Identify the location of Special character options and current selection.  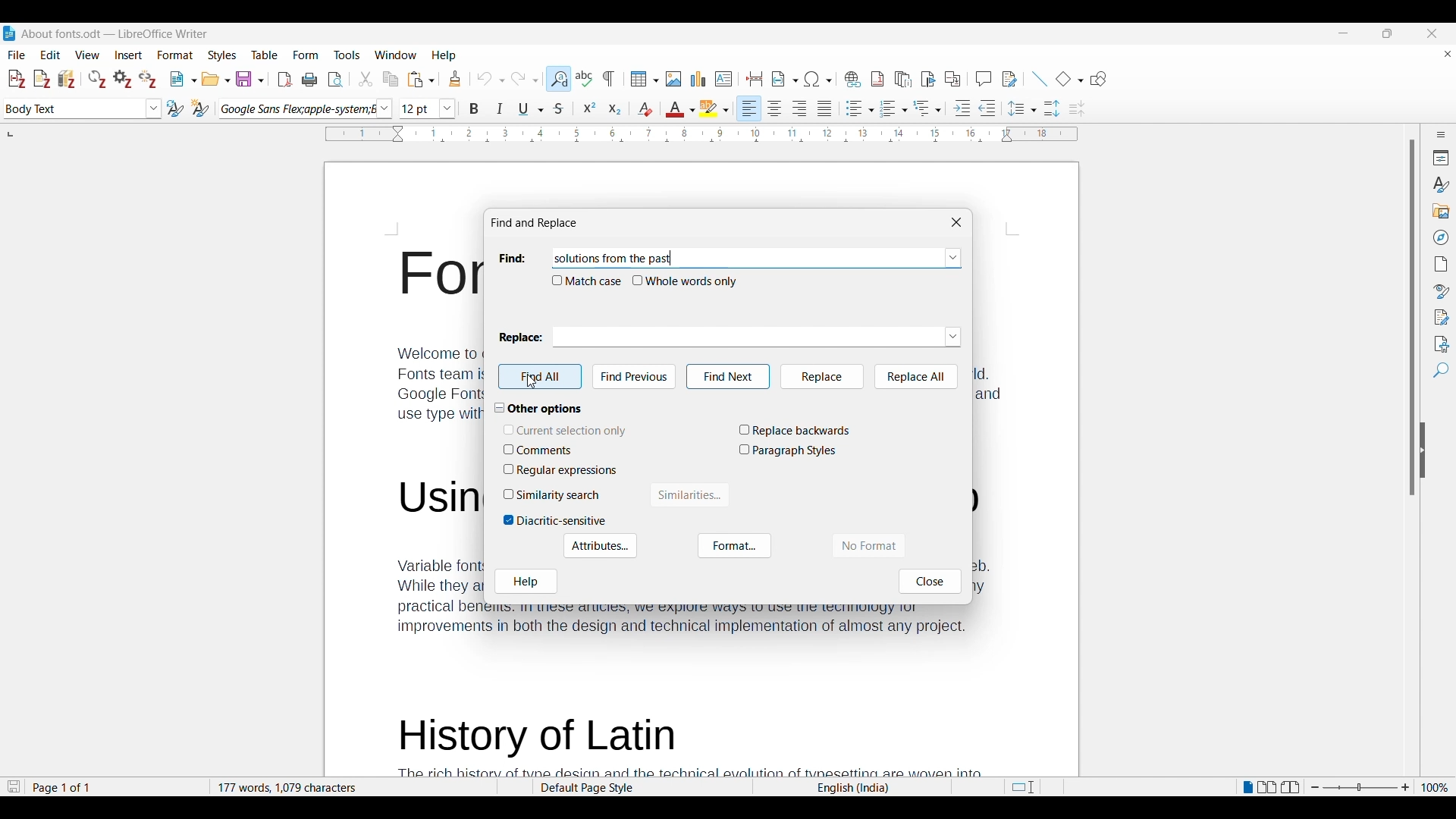
(818, 79).